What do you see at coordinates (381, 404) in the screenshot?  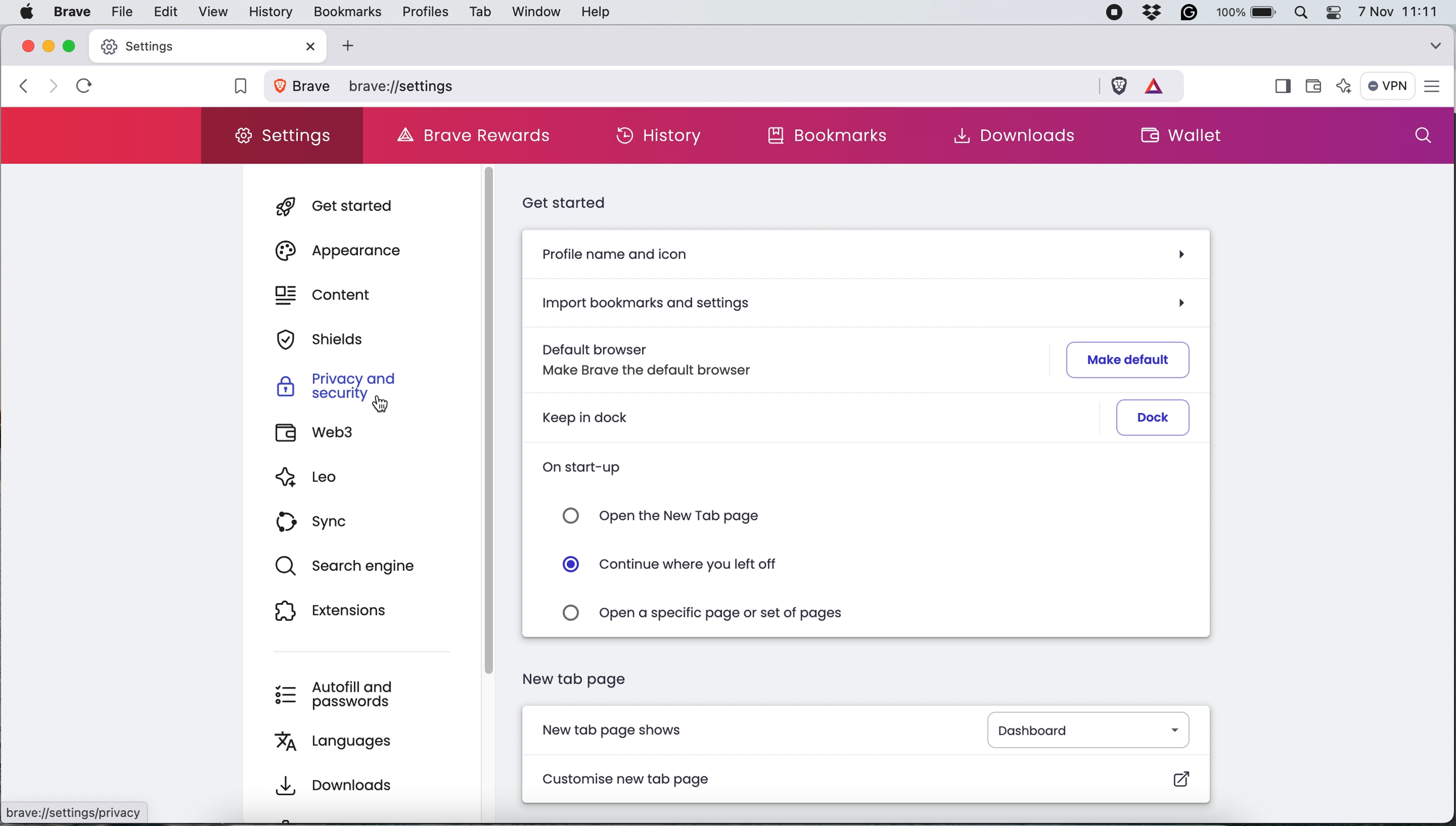 I see `cursor` at bounding box center [381, 404].